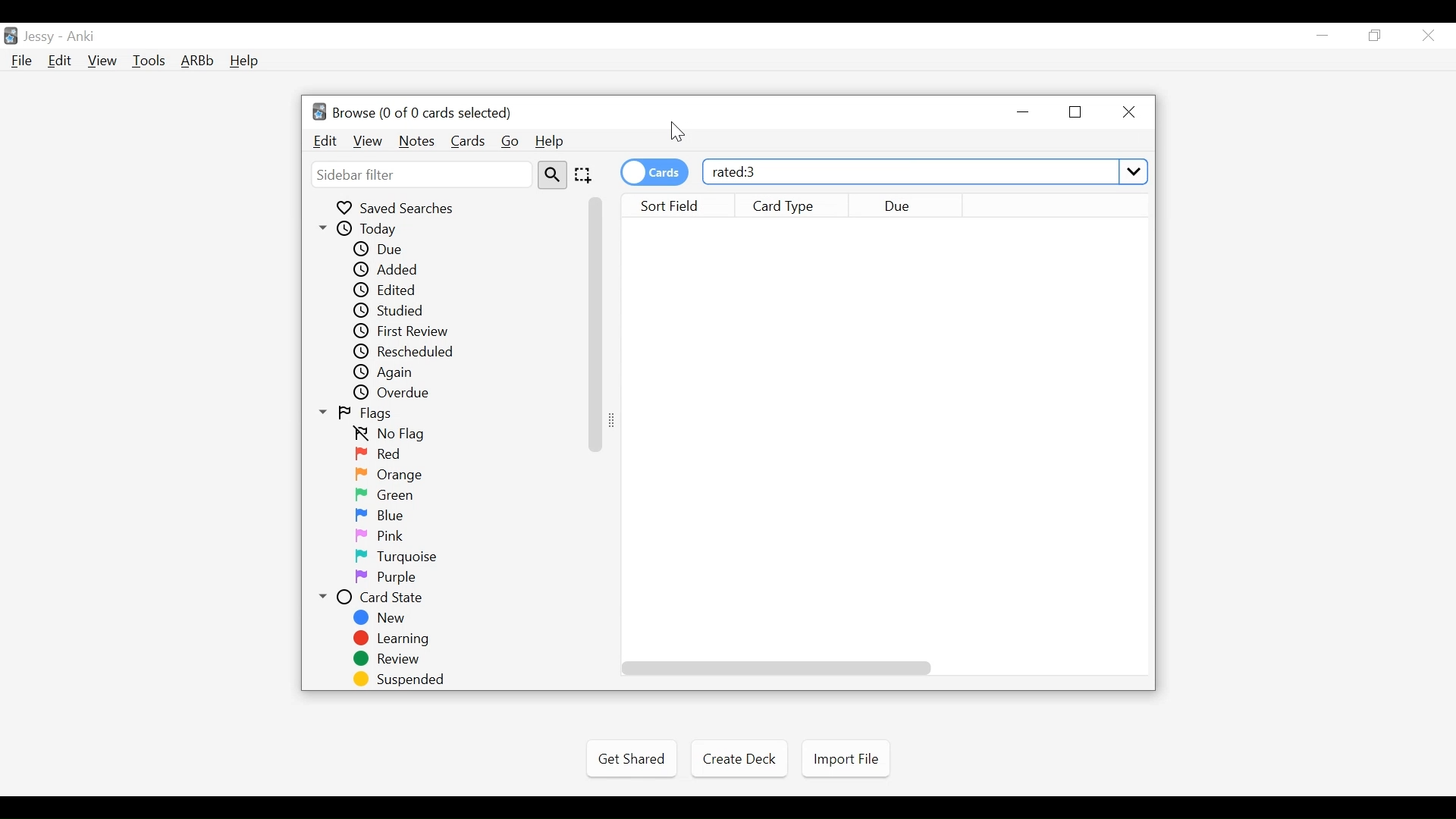 This screenshot has width=1456, height=819. Describe the element at coordinates (245, 61) in the screenshot. I see `Help` at that location.